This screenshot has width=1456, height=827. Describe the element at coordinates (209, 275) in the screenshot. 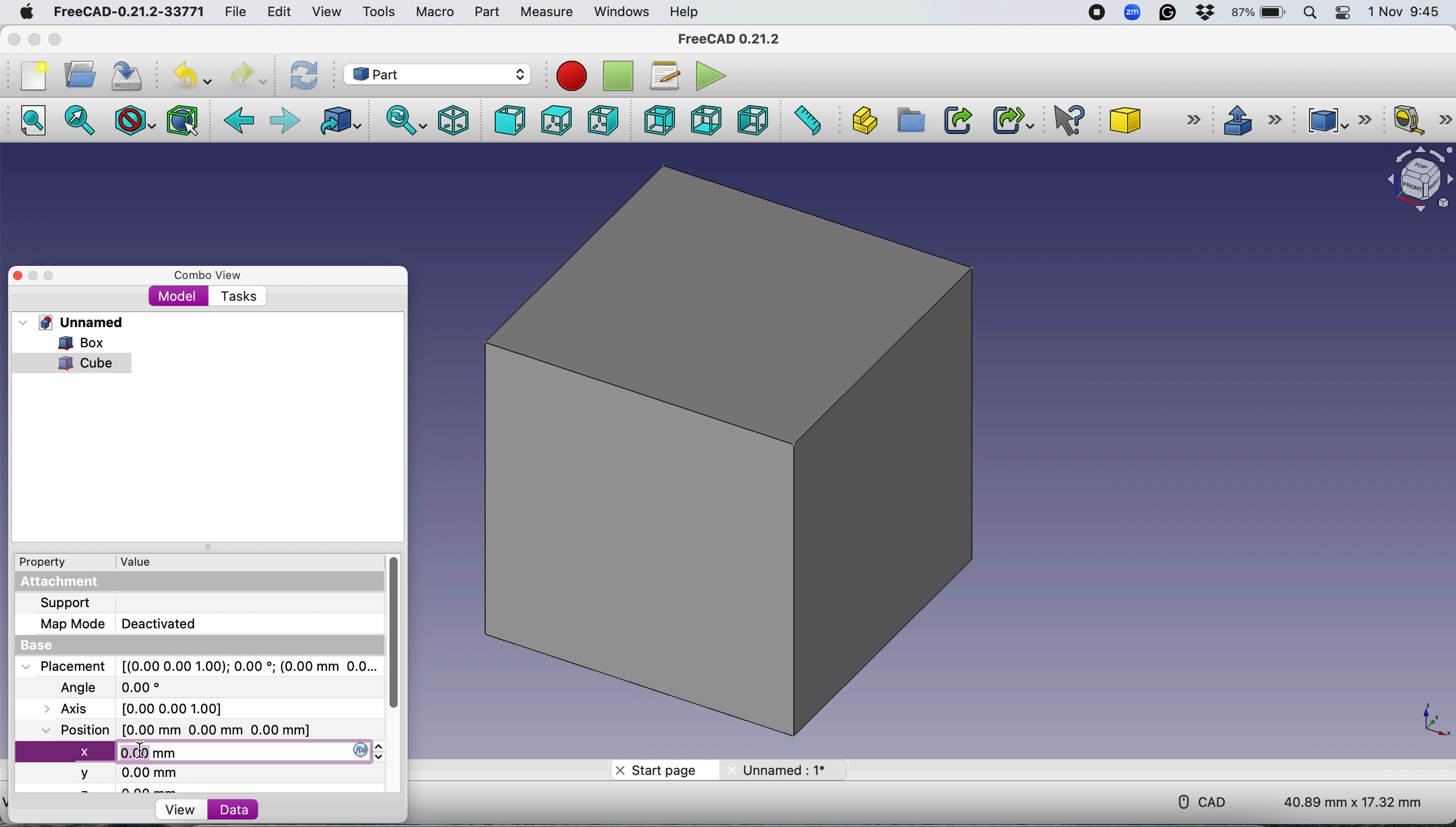

I see `Combo view` at that location.